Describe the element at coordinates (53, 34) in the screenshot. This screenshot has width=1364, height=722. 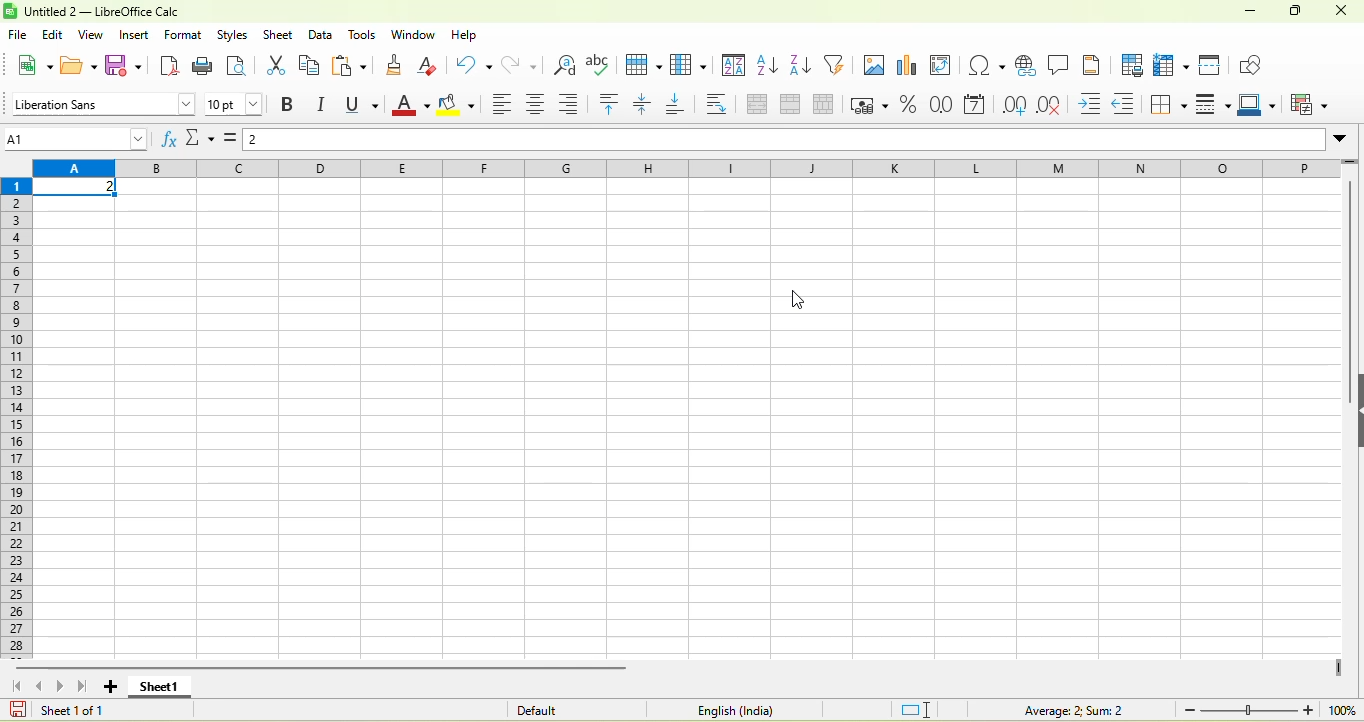
I see `edit` at that location.